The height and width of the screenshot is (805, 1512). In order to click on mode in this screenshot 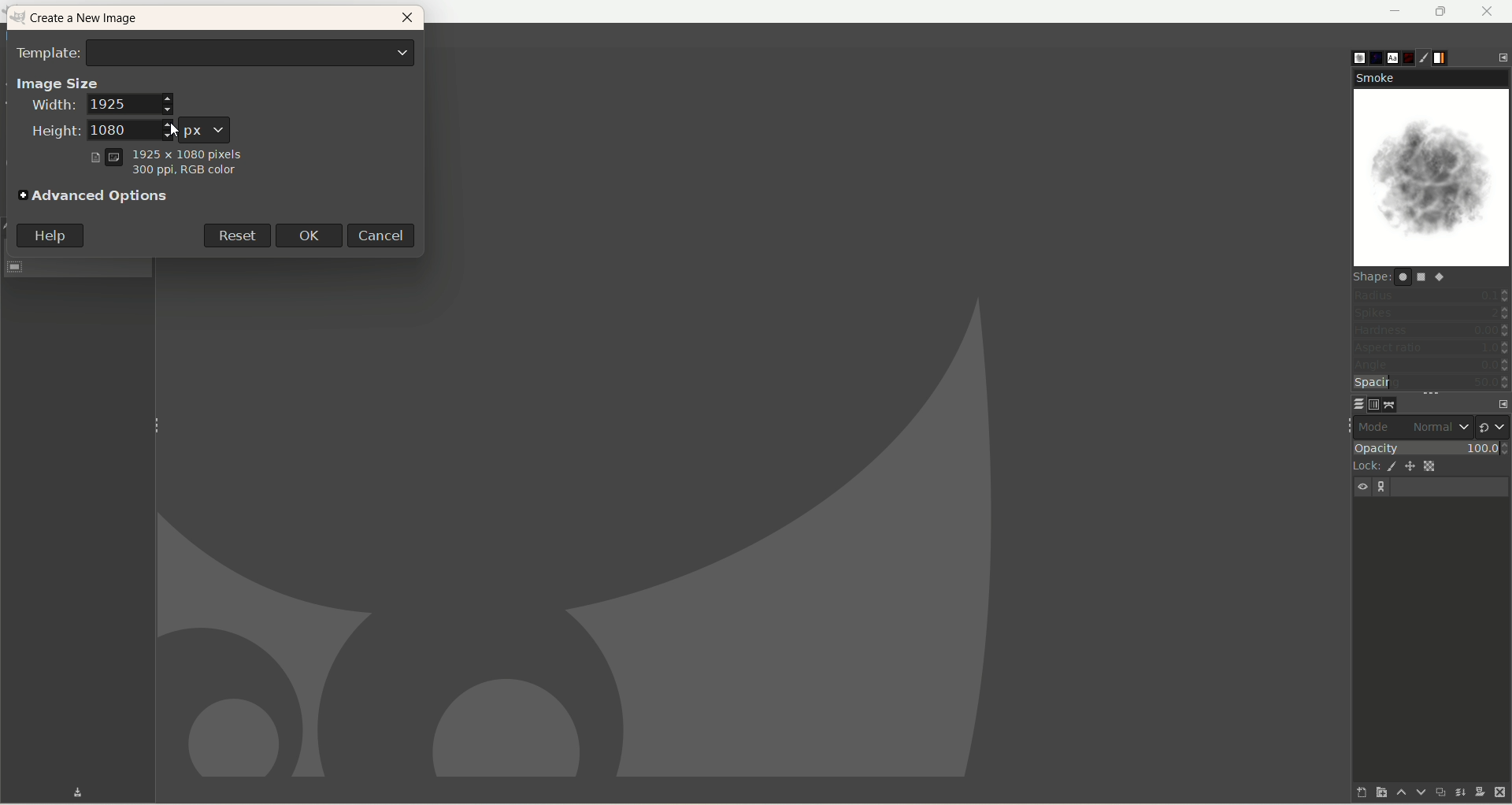, I will do `click(1378, 426)`.